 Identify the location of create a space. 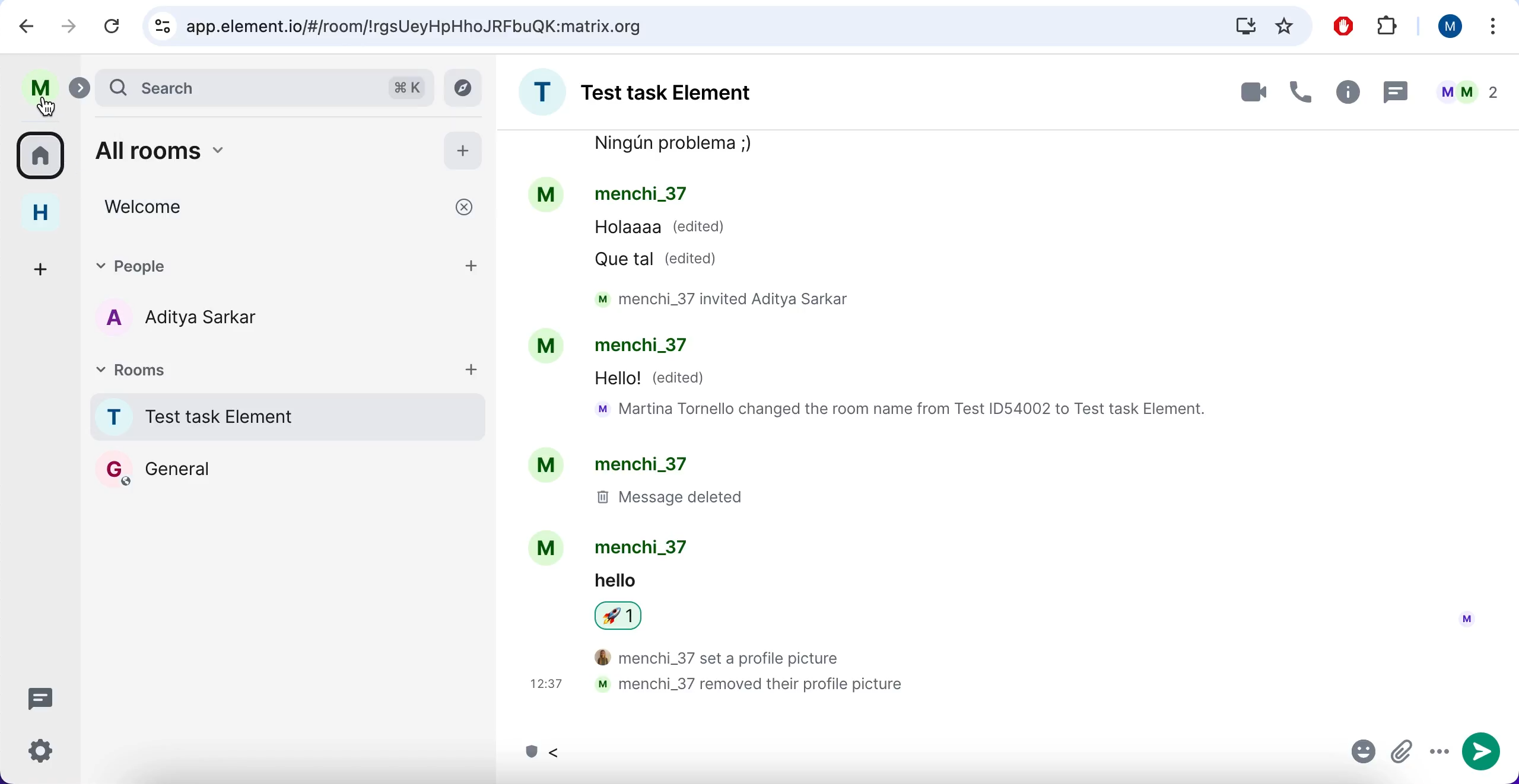
(38, 267).